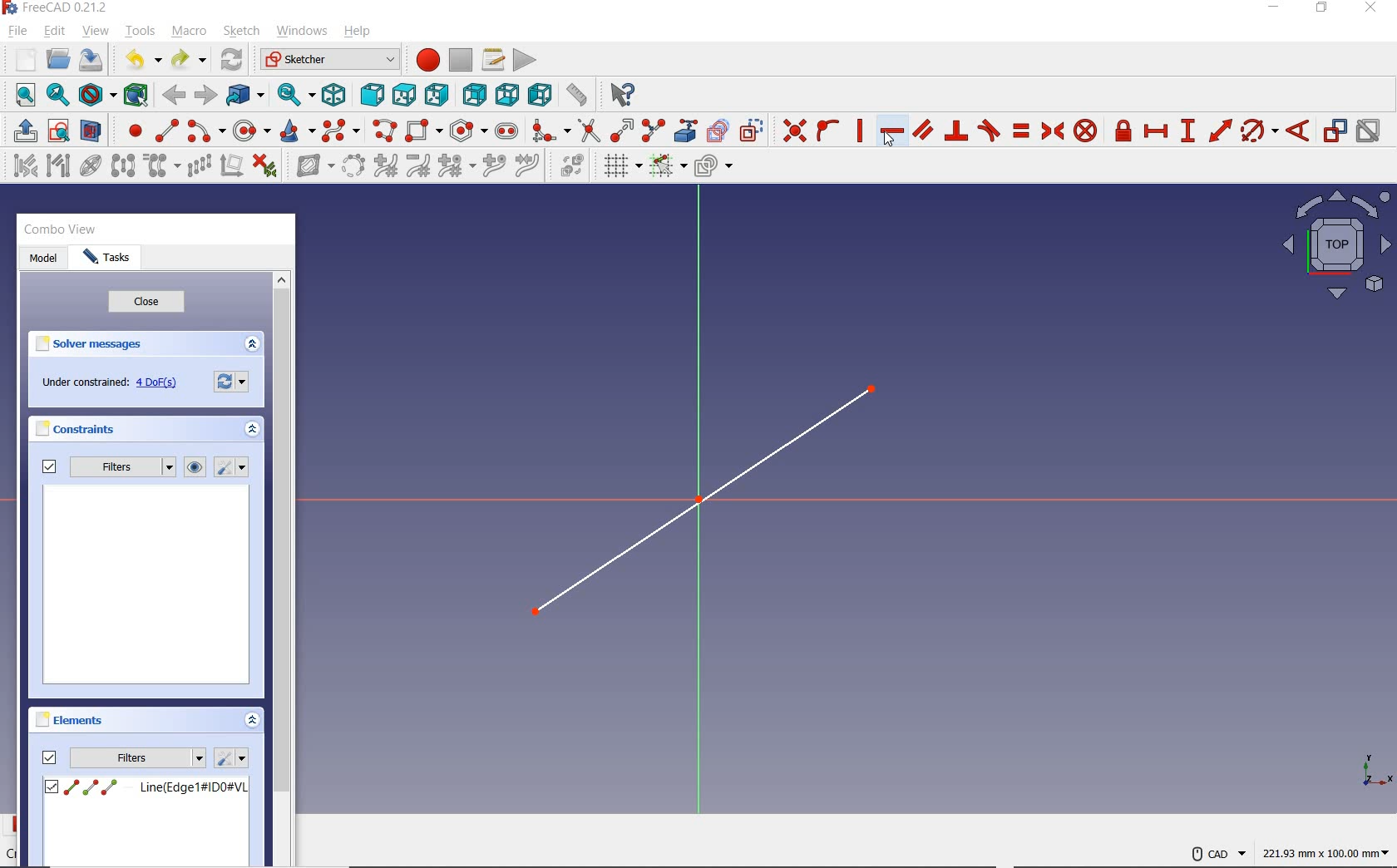 Image resolution: width=1397 pixels, height=868 pixels. What do you see at coordinates (282, 534) in the screenshot?
I see `scrollbar` at bounding box center [282, 534].